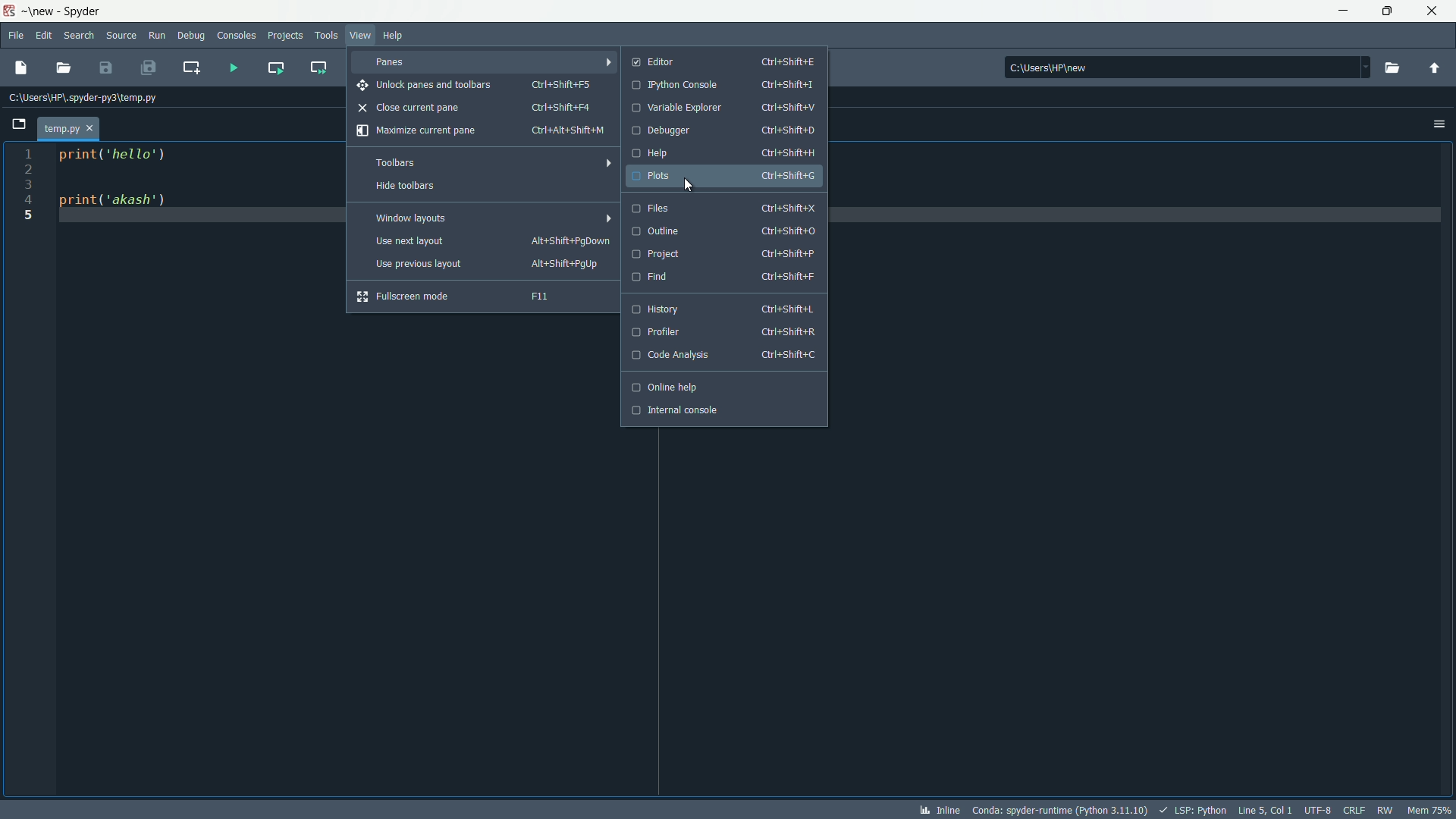 The height and width of the screenshot is (819, 1456). What do you see at coordinates (235, 34) in the screenshot?
I see `consoles menu` at bounding box center [235, 34].